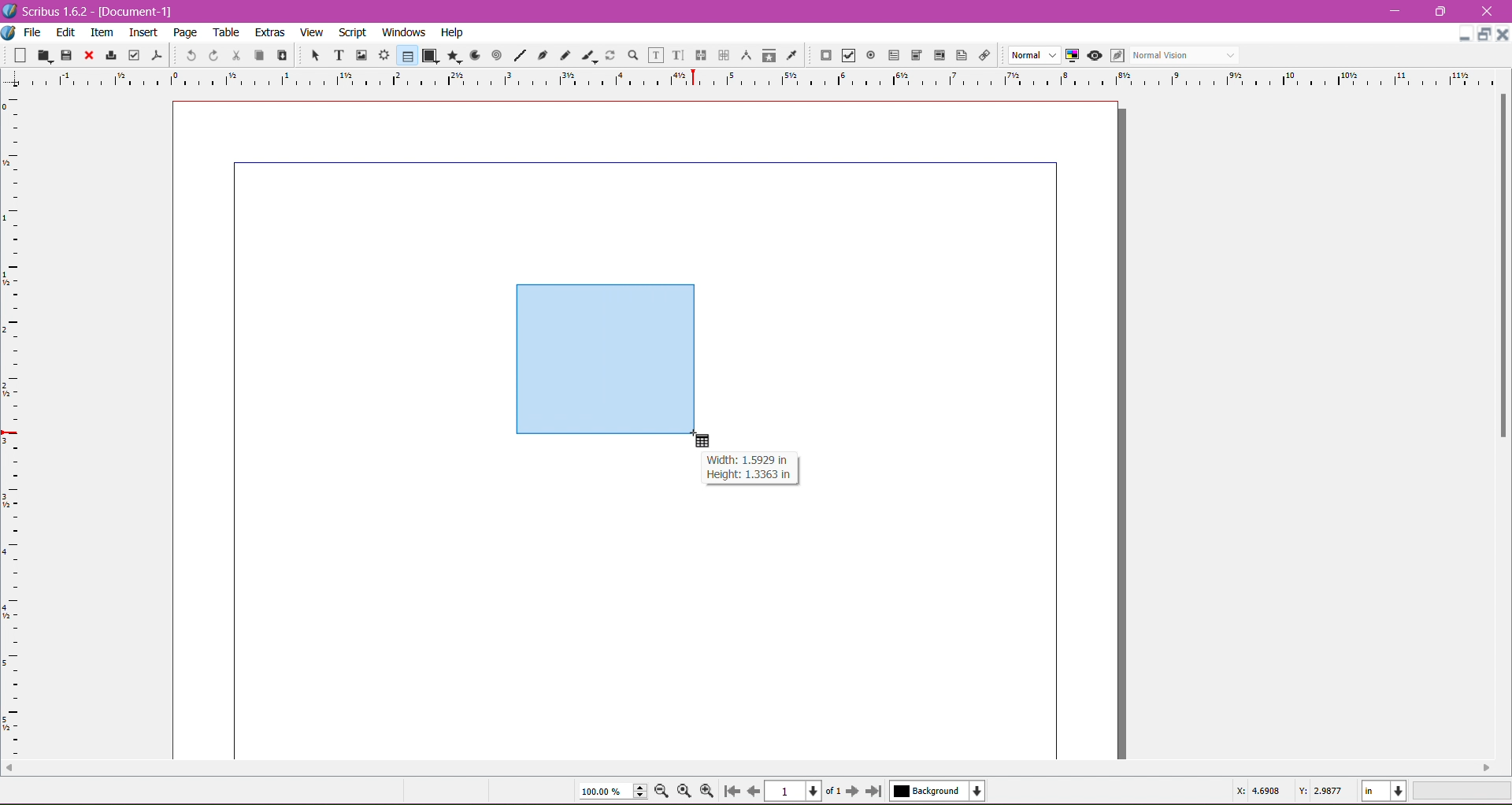  Describe the element at coordinates (707, 441) in the screenshot. I see `Table icon` at that location.